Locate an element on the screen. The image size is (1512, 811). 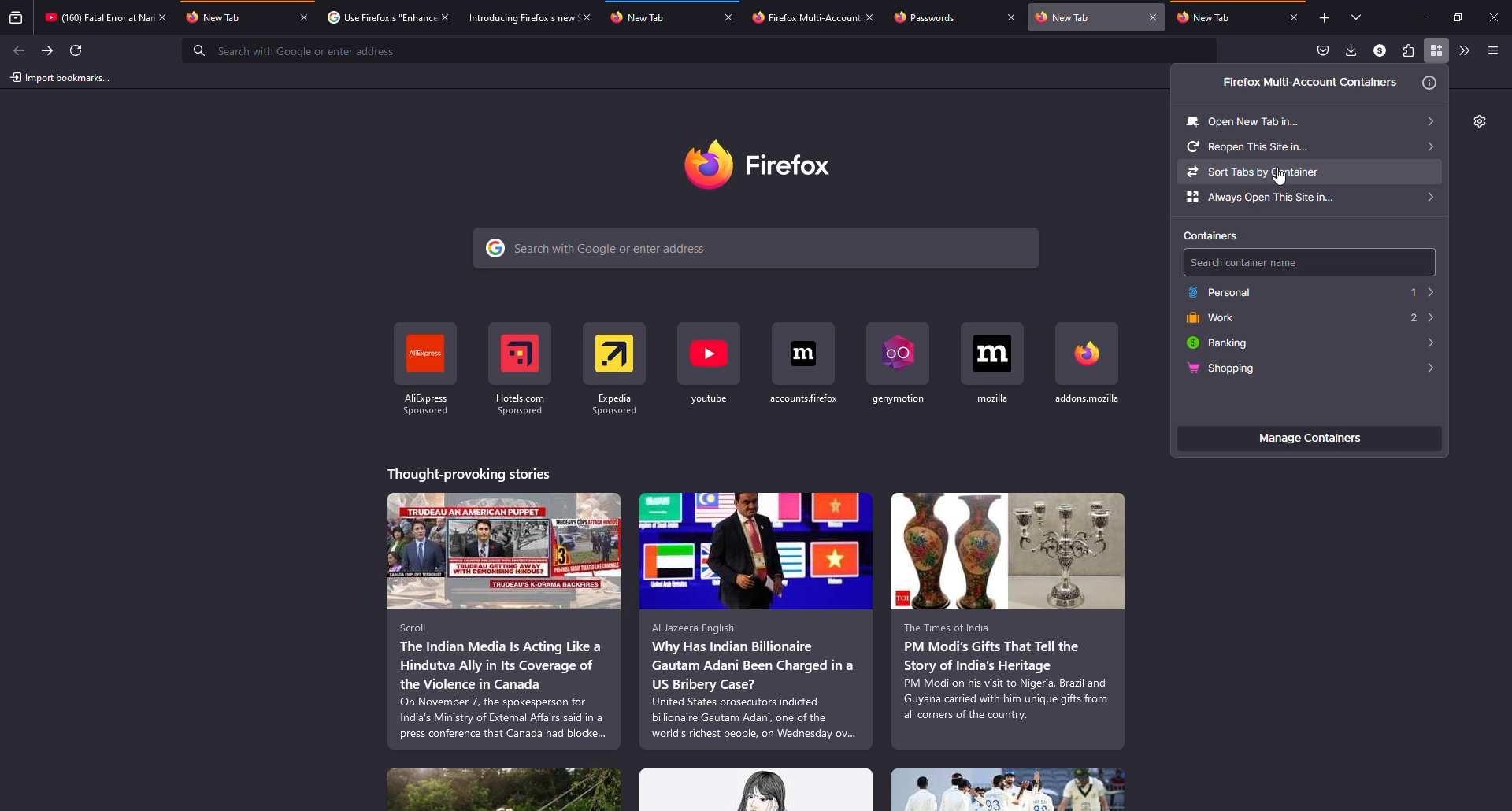
expand is located at coordinates (1422, 343).